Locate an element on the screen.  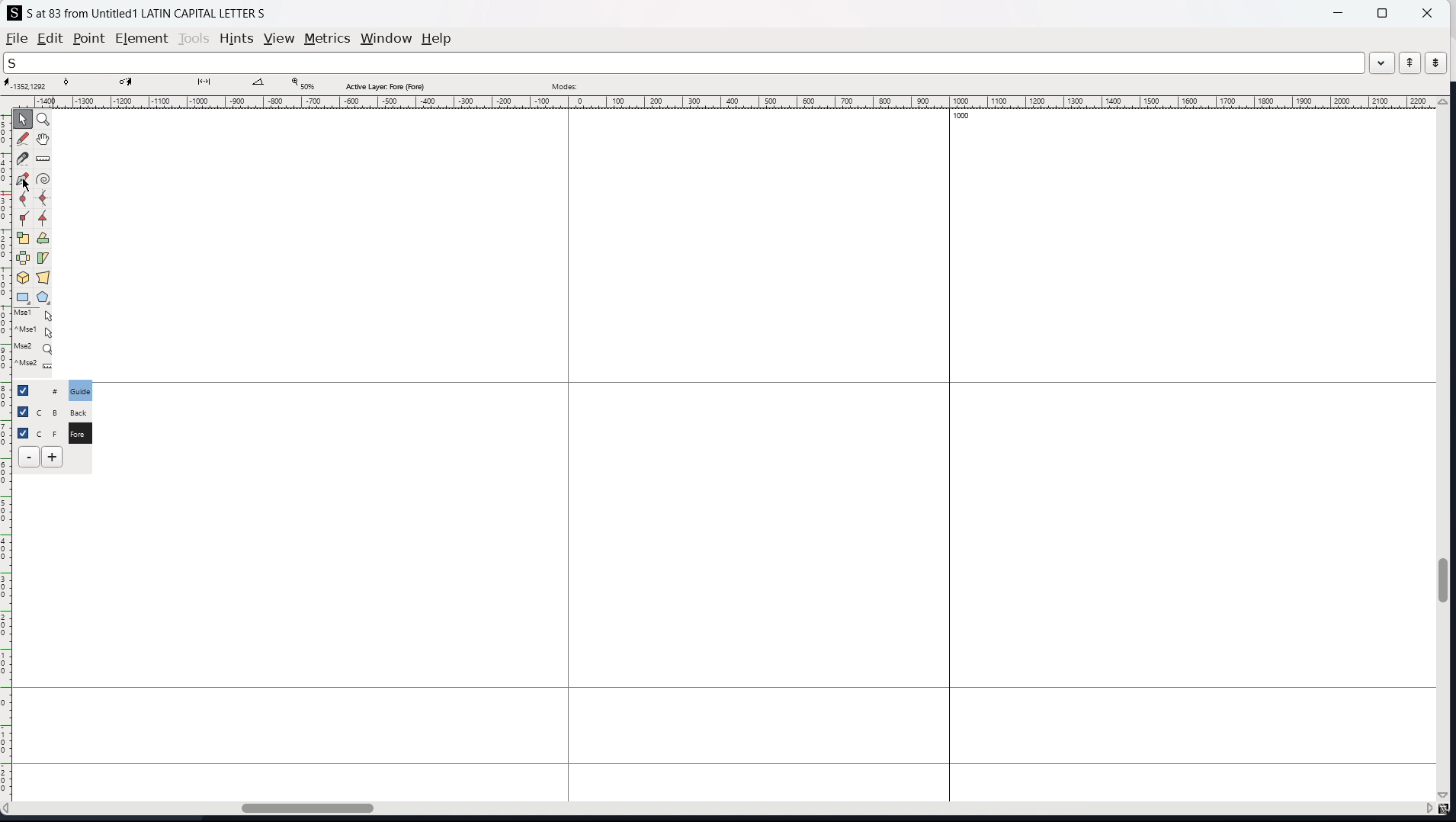
maximize is located at coordinates (1382, 12).